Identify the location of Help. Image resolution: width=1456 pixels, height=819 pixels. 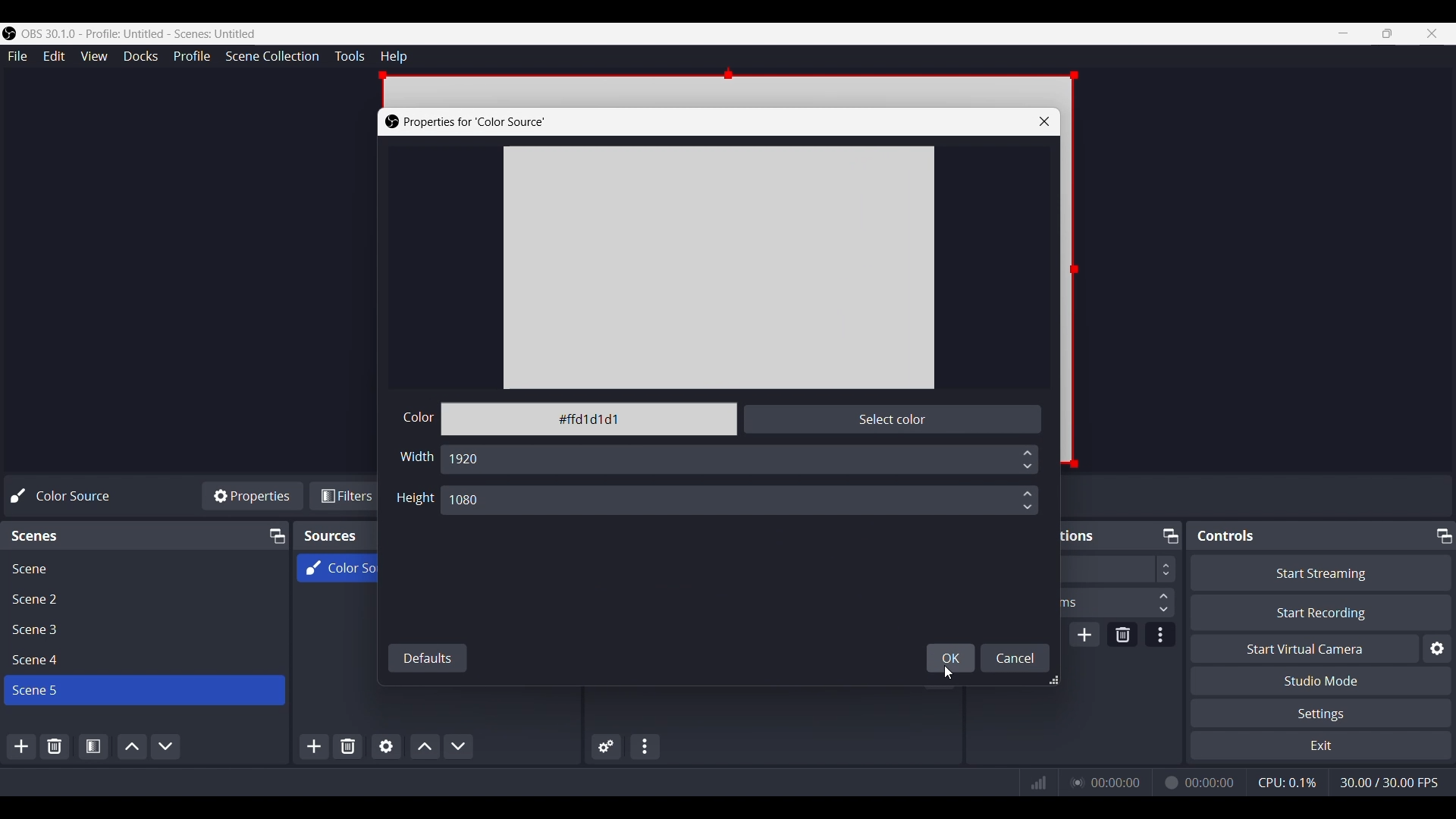
(392, 55).